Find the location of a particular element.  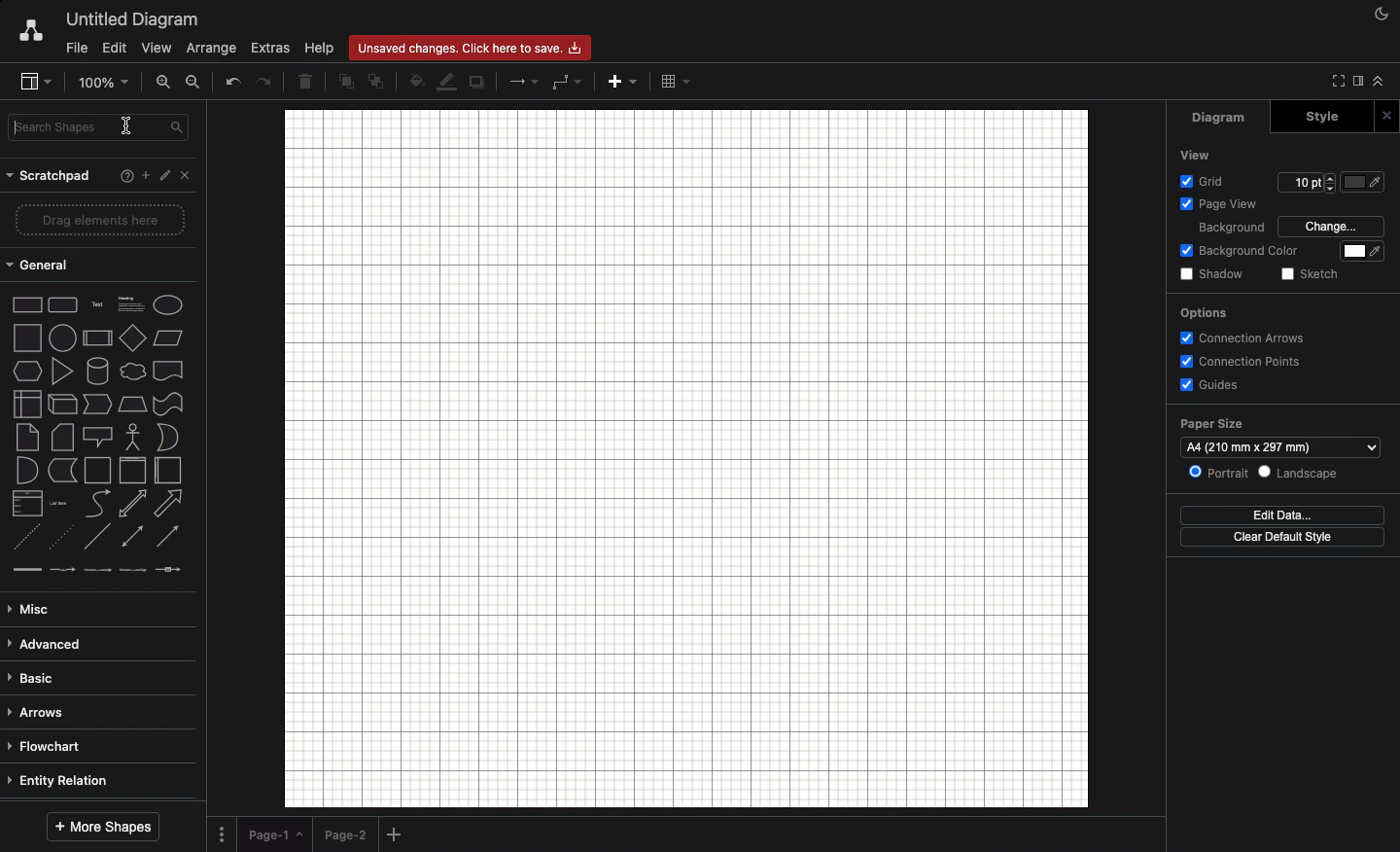

Edit is located at coordinates (113, 47).